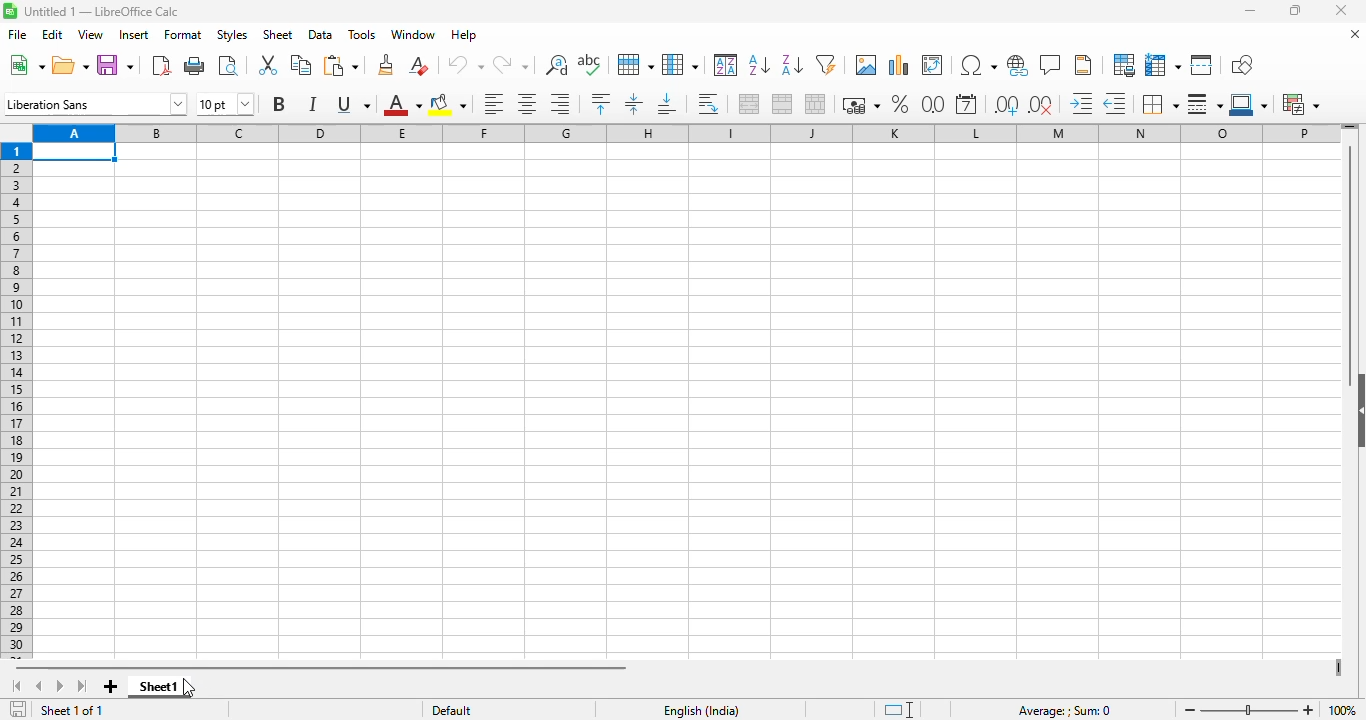 This screenshot has width=1366, height=720. I want to click on zoom out, so click(1190, 710).